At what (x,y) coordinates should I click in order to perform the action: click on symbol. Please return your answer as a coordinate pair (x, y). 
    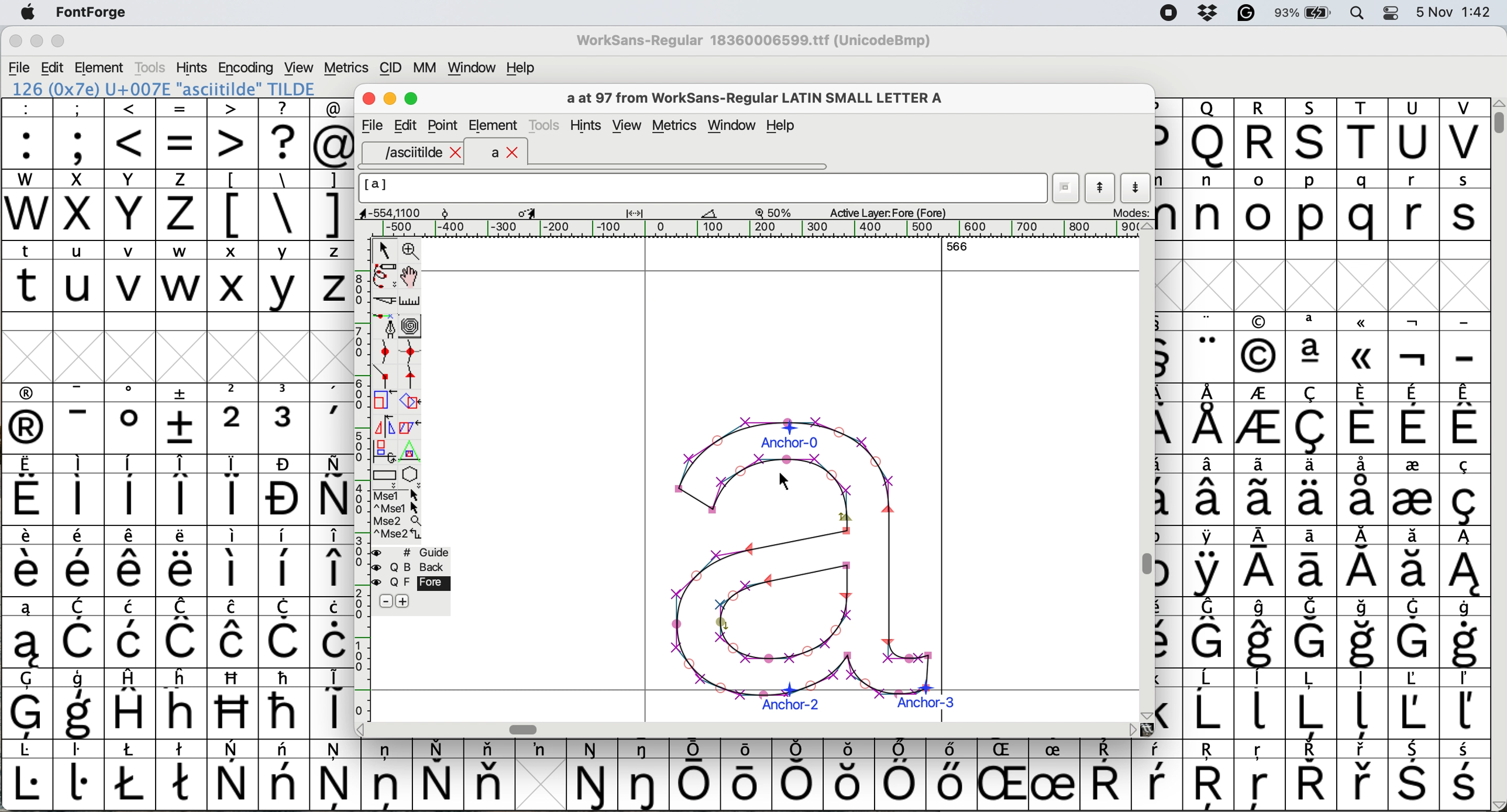
    Looking at the image, I should click on (27, 562).